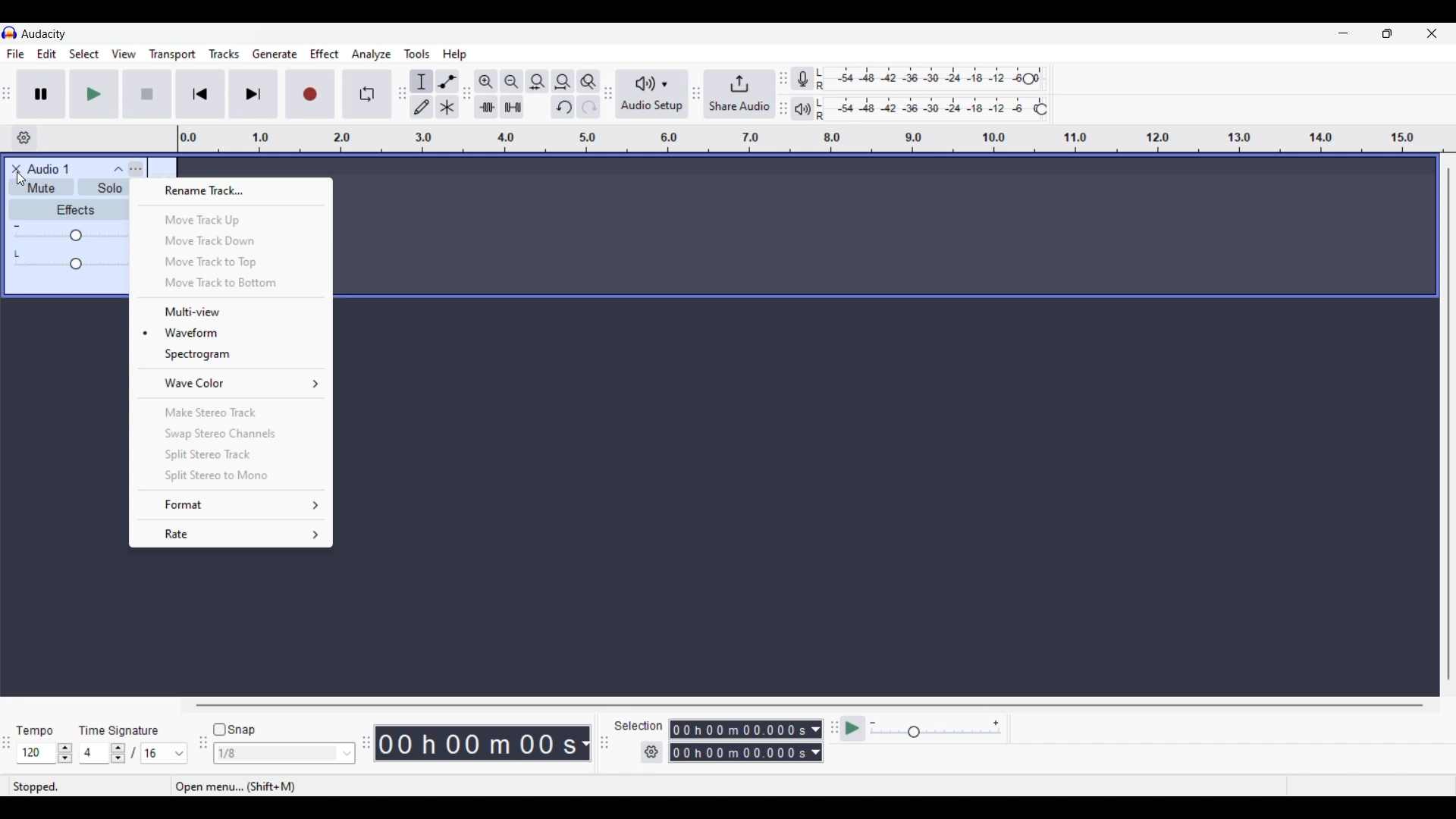 The height and width of the screenshot is (819, 1456). Describe the element at coordinates (109, 190) in the screenshot. I see `Solo` at that location.